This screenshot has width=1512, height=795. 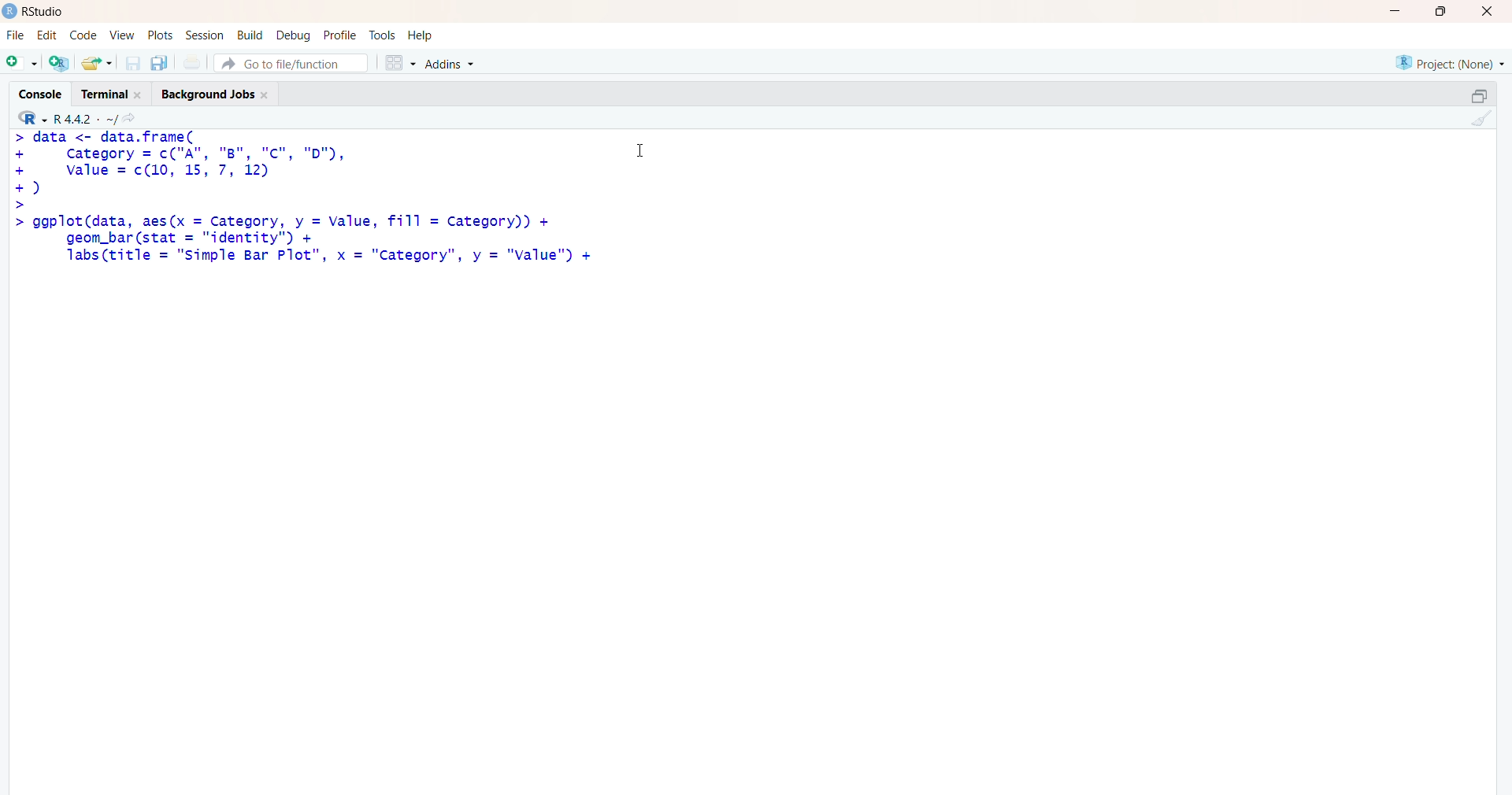 What do you see at coordinates (294, 35) in the screenshot?
I see `debug` at bounding box center [294, 35].